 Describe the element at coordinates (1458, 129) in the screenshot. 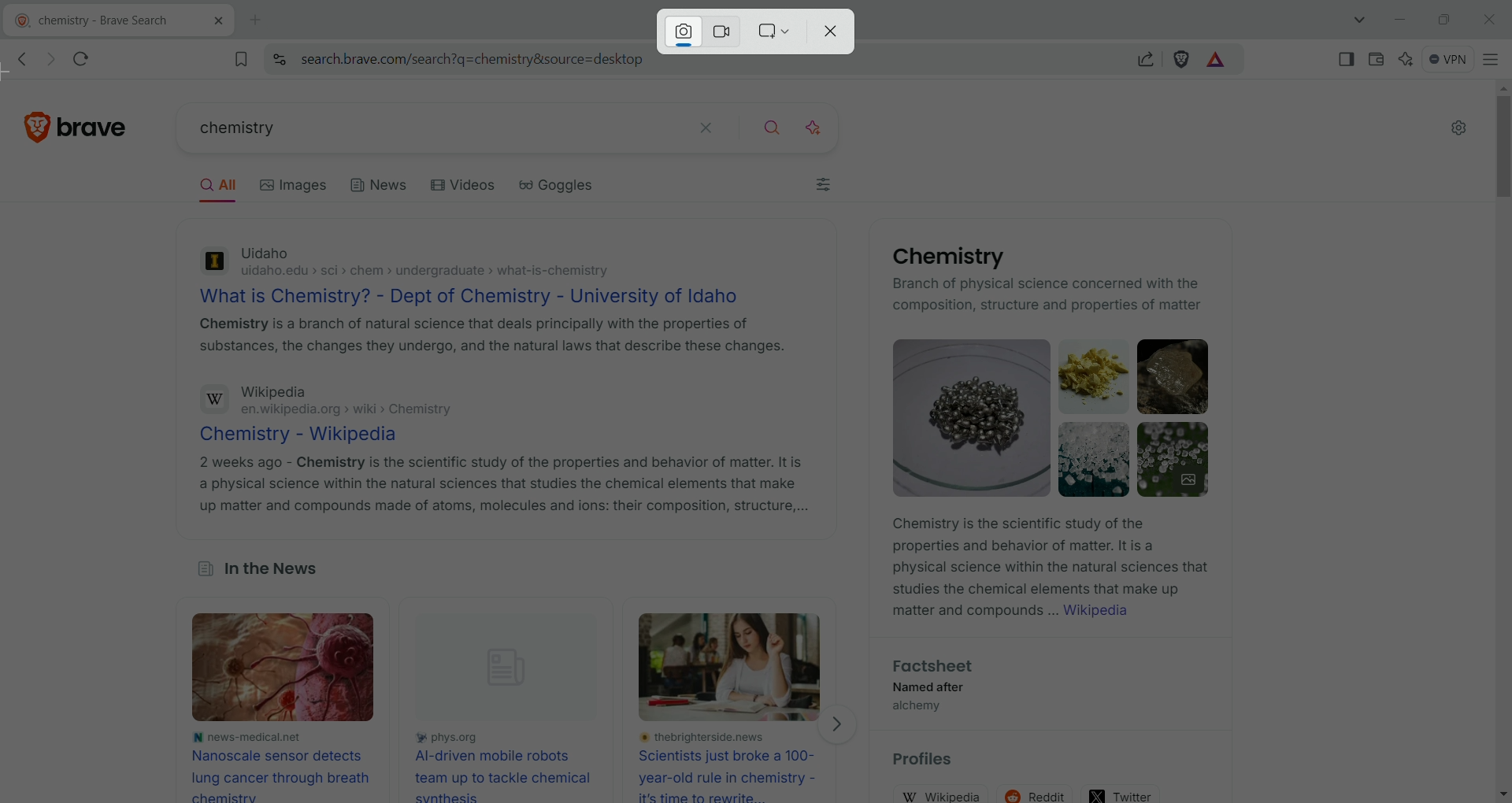

I see `quick settings` at that location.